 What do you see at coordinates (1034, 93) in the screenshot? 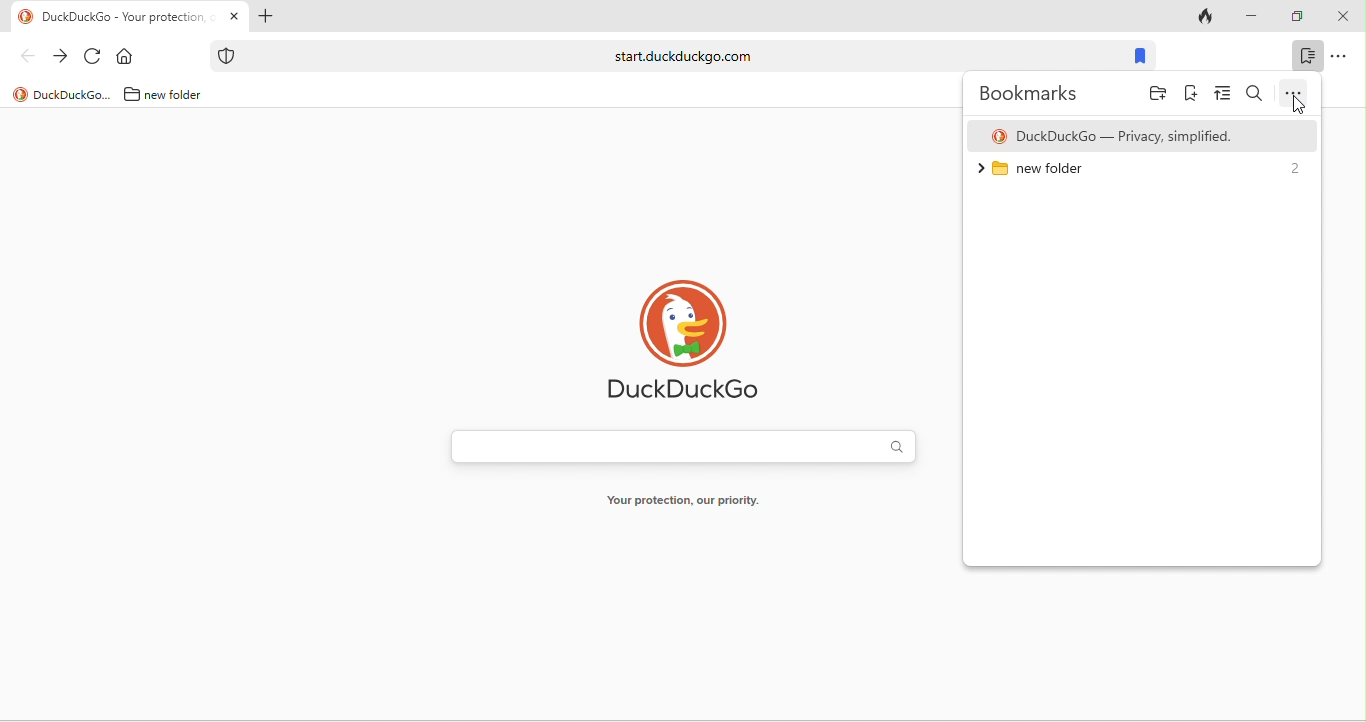
I see `bookmarks` at bounding box center [1034, 93].